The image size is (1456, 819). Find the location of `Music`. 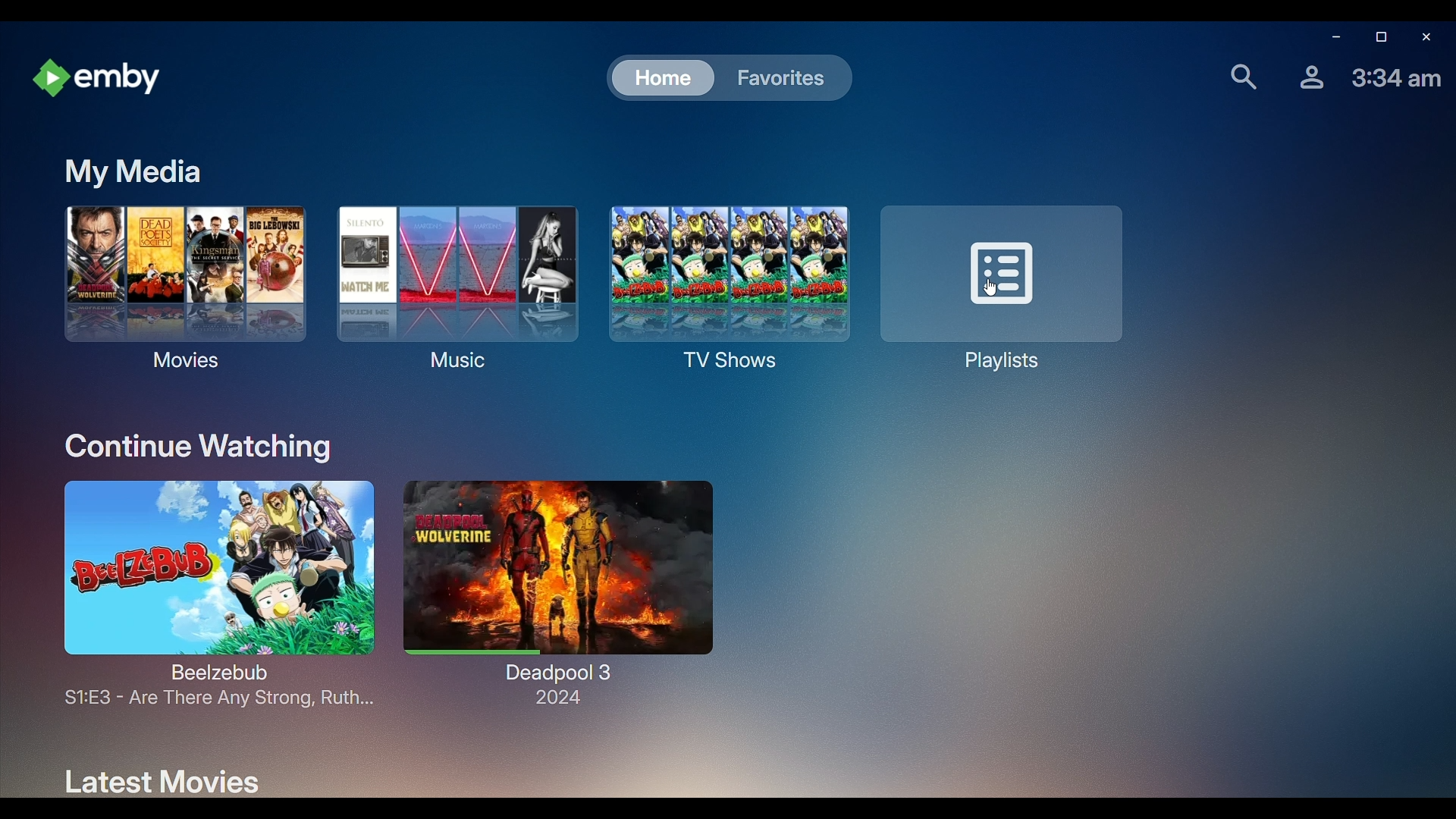

Music is located at coordinates (453, 287).